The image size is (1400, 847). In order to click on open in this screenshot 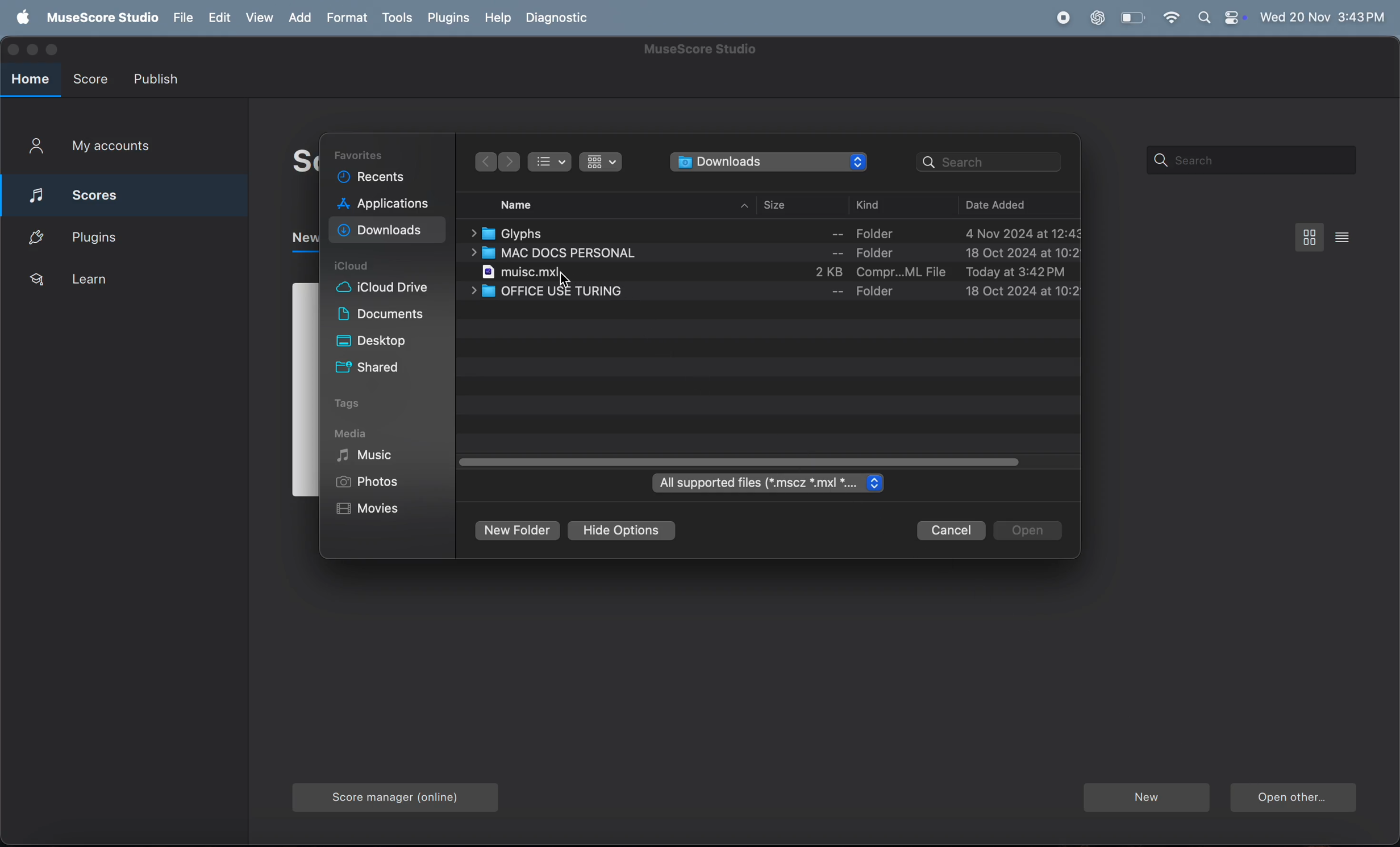, I will do `click(1034, 530)`.